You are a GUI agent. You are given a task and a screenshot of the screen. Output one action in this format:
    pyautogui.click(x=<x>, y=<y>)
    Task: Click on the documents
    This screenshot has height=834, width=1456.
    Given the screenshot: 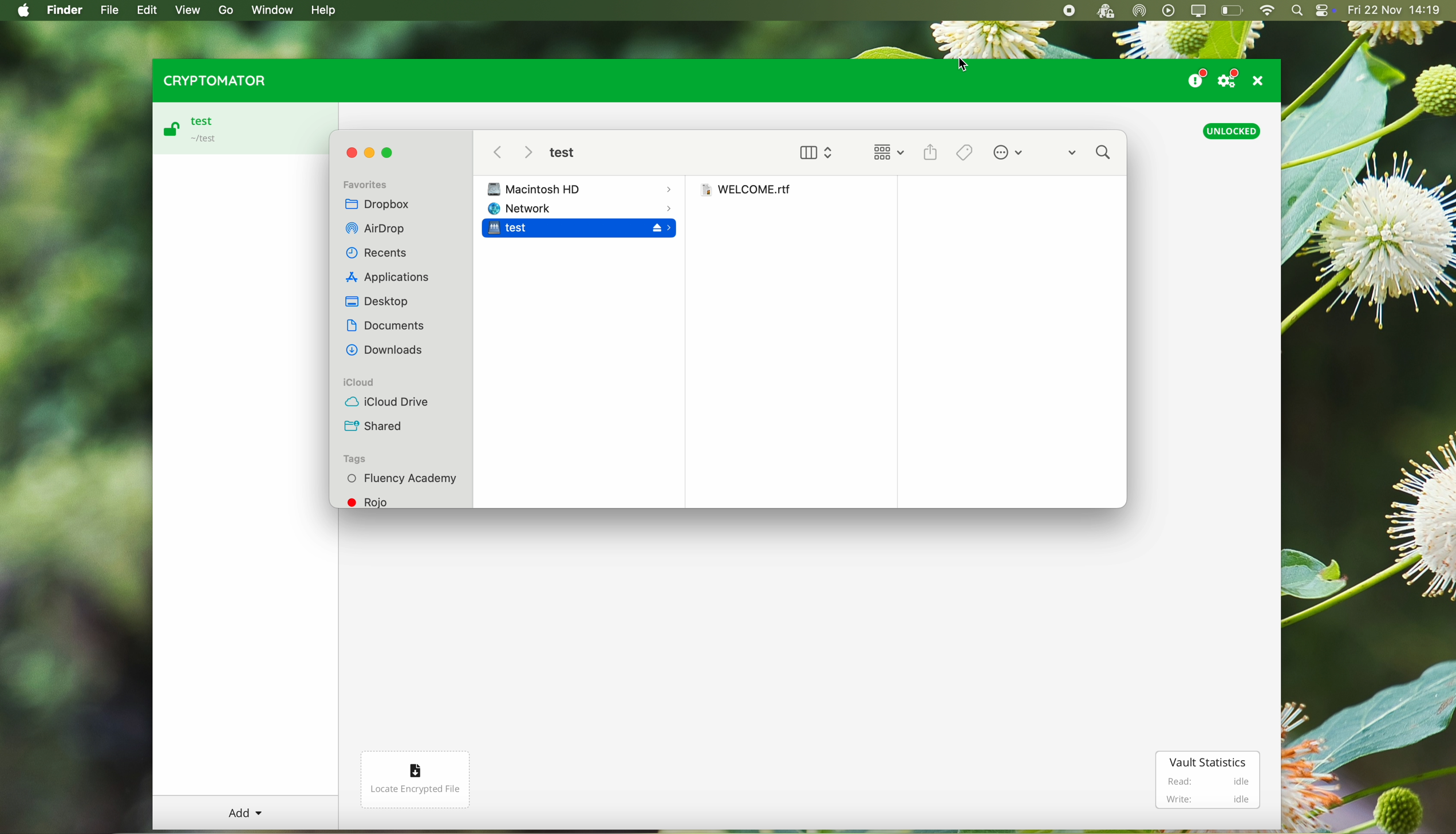 What is the action you would take?
    pyautogui.click(x=386, y=327)
    